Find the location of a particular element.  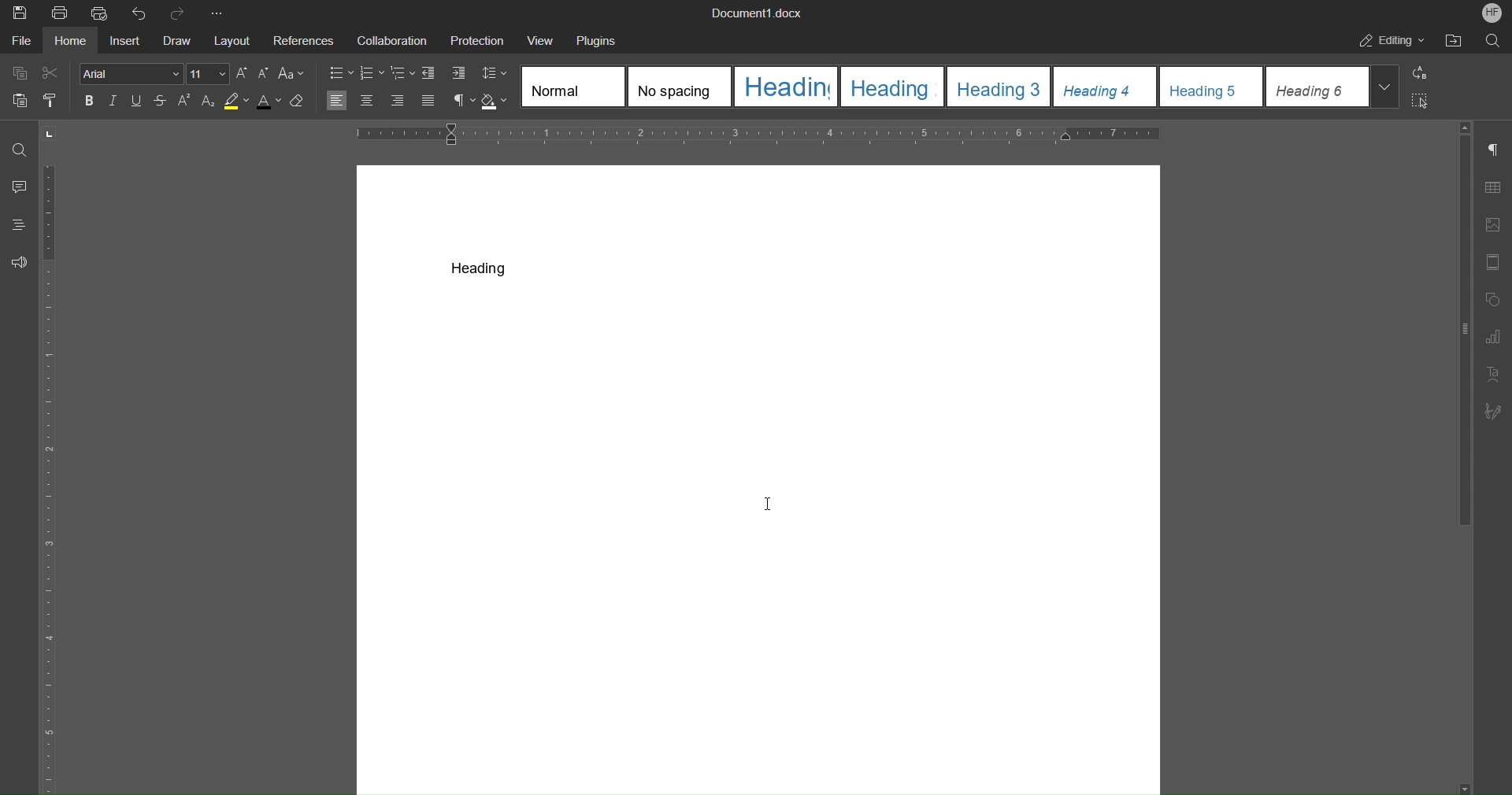

Heading 1 is located at coordinates (787, 86).